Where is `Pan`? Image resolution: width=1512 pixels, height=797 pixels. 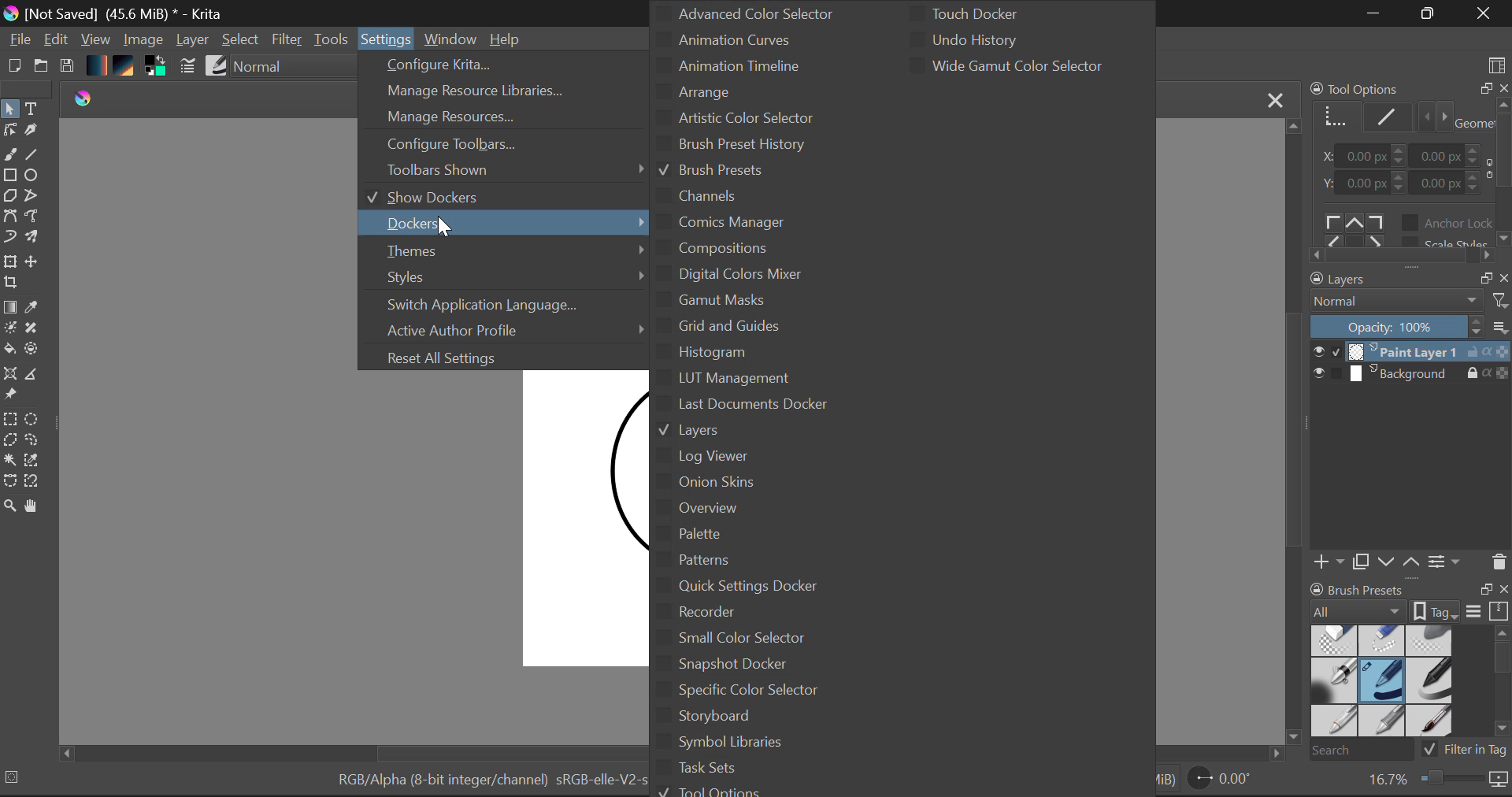 Pan is located at coordinates (35, 506).